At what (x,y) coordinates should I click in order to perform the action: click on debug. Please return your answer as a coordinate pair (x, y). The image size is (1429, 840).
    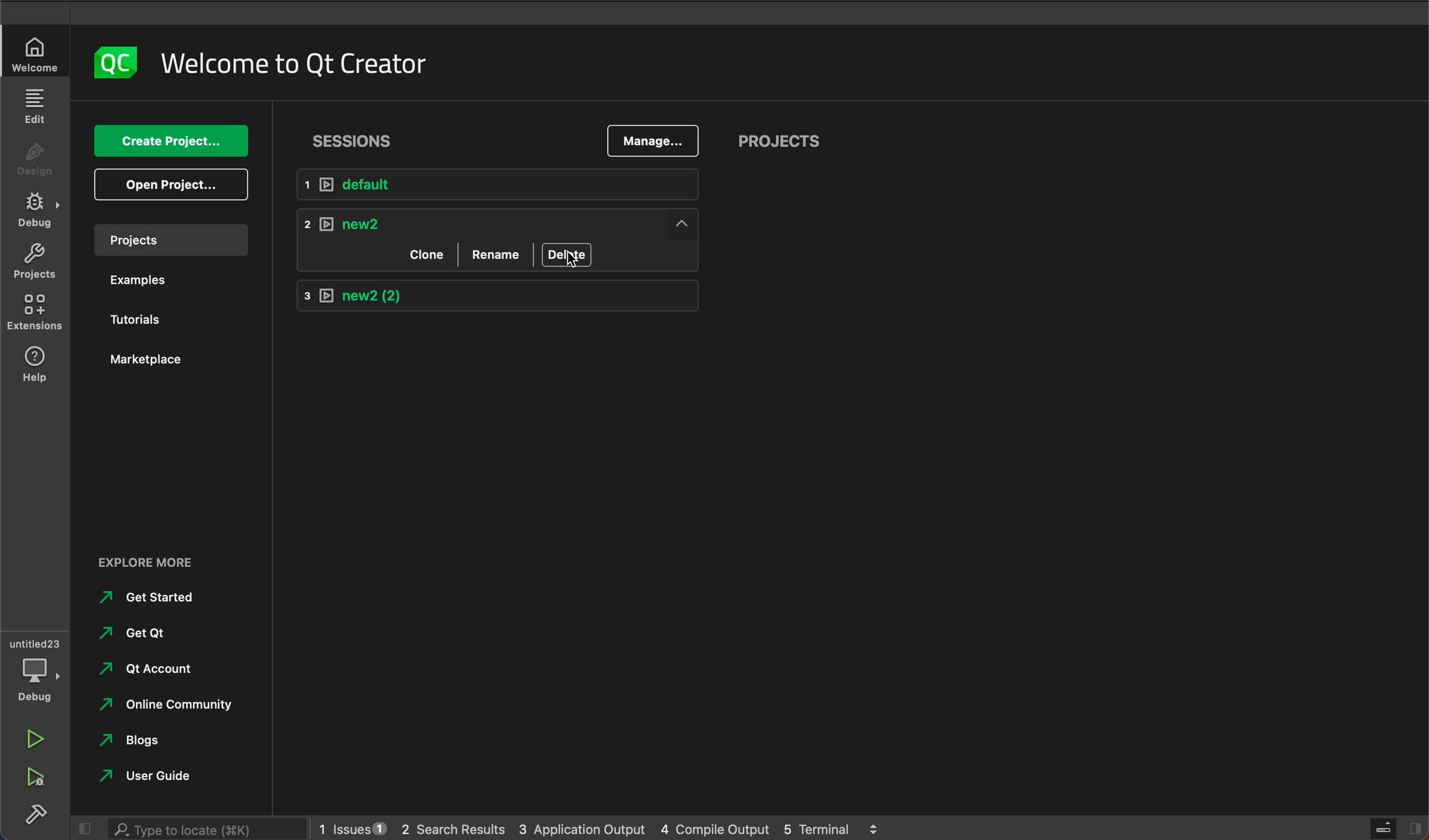
    Looking at the image, I should click on (35, 211).